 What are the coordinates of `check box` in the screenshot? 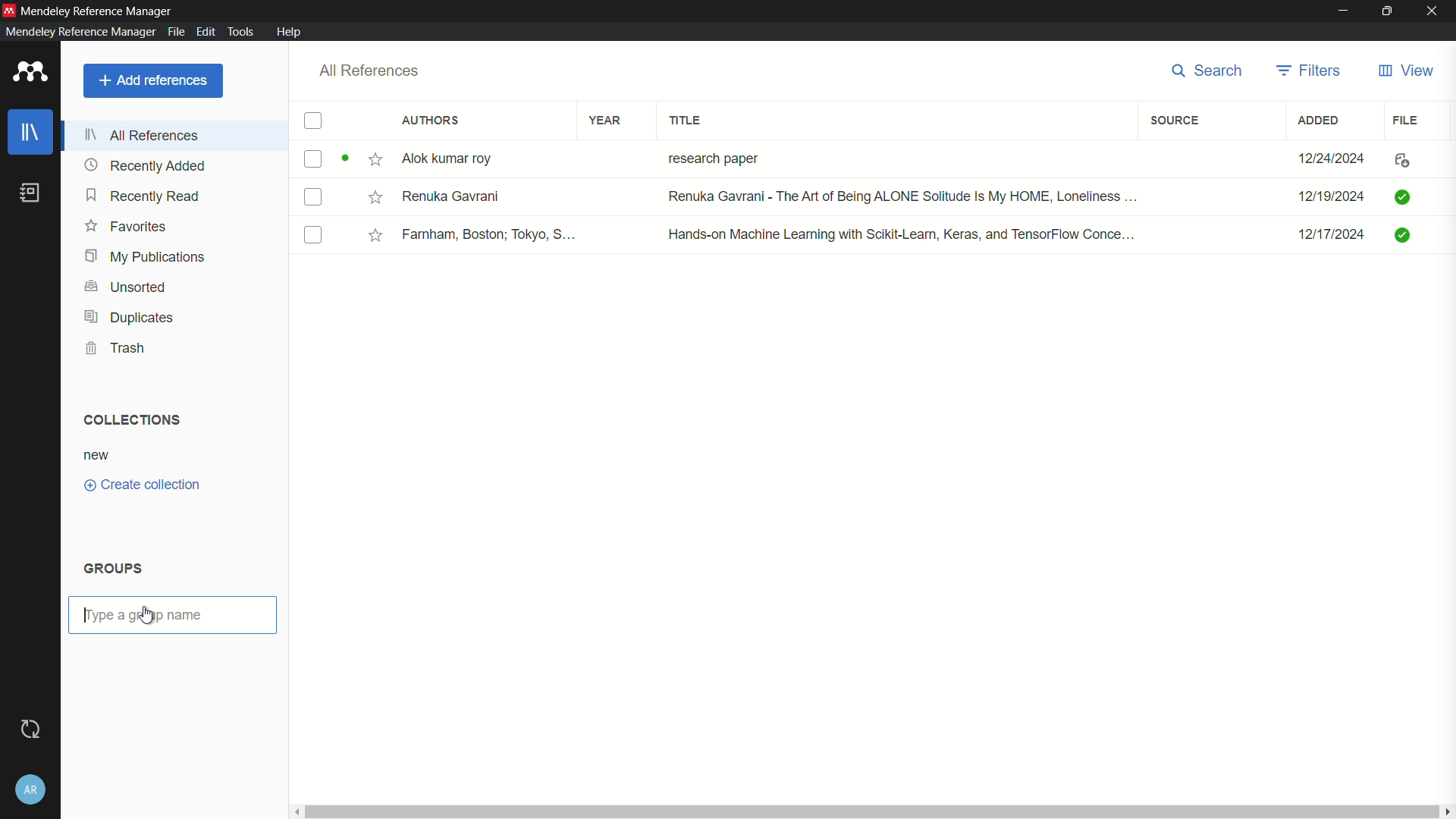 It's located at (313, 122).